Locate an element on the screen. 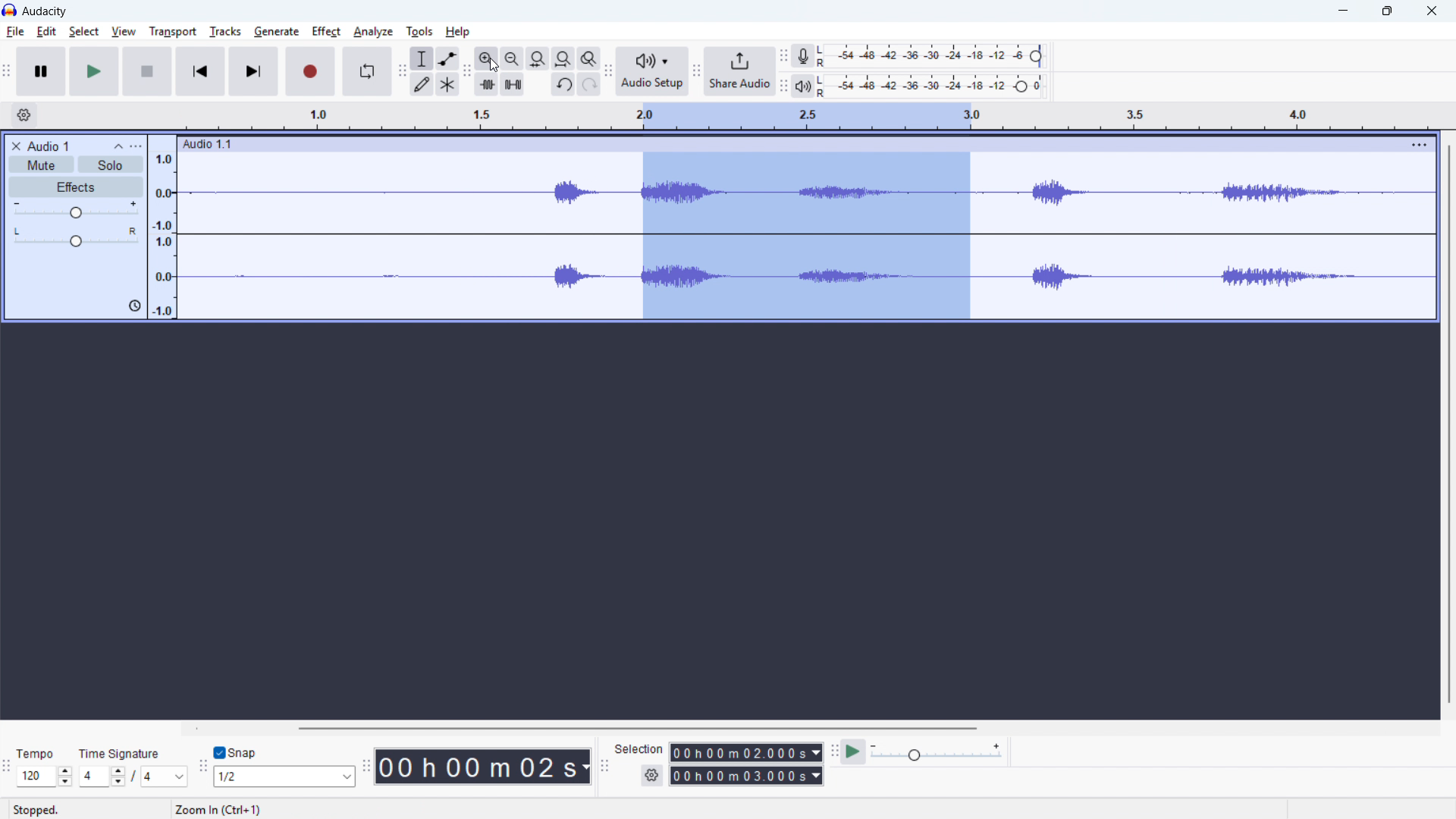 The height and width of the screenshot is (819, 1456). Fit project to width is located at coordinates (563, 58).